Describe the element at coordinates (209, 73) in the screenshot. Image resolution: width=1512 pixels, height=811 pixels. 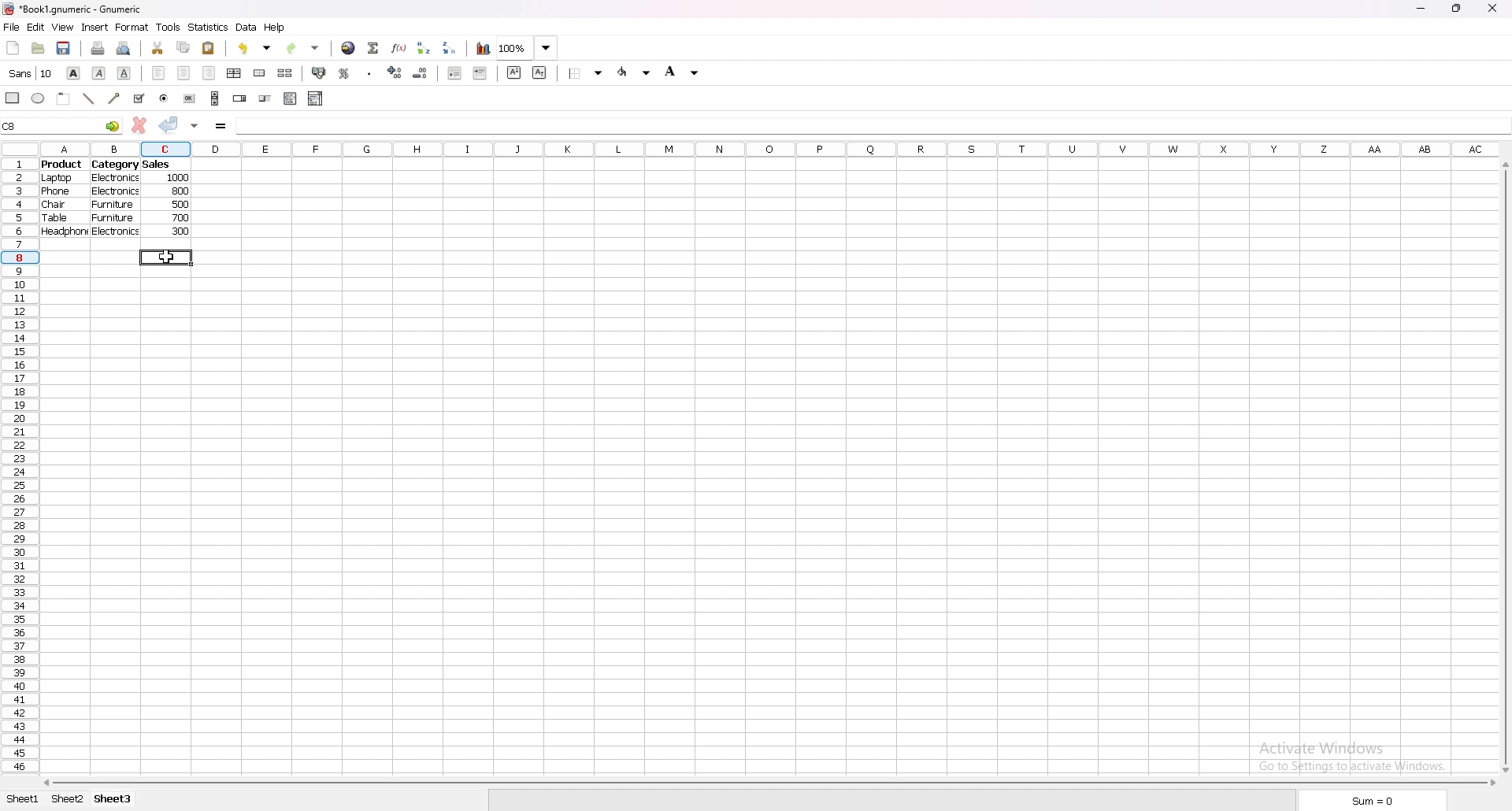
I see `right align` at that location.